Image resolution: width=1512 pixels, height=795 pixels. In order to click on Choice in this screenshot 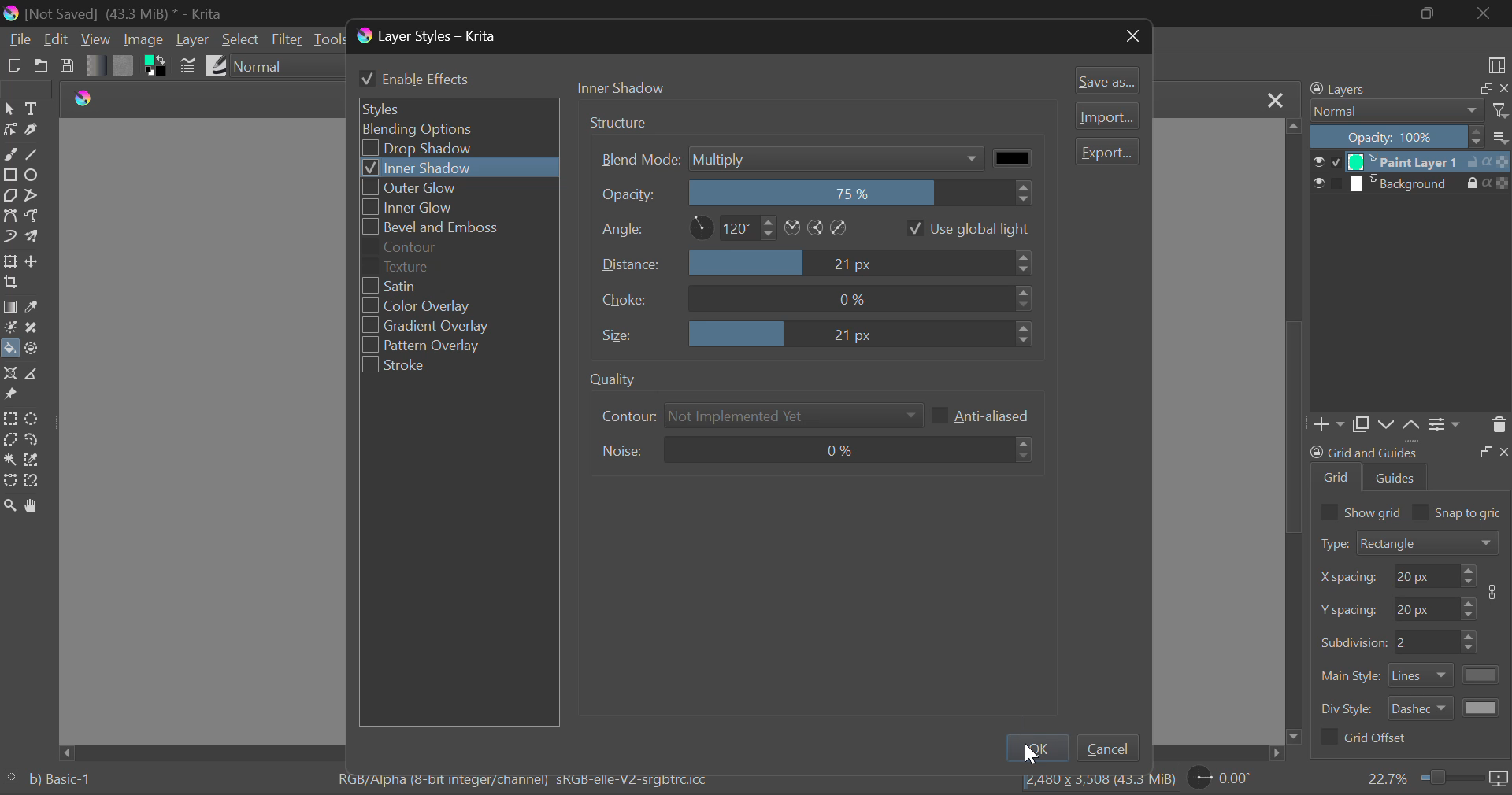, I will do `click(816, 301)`.